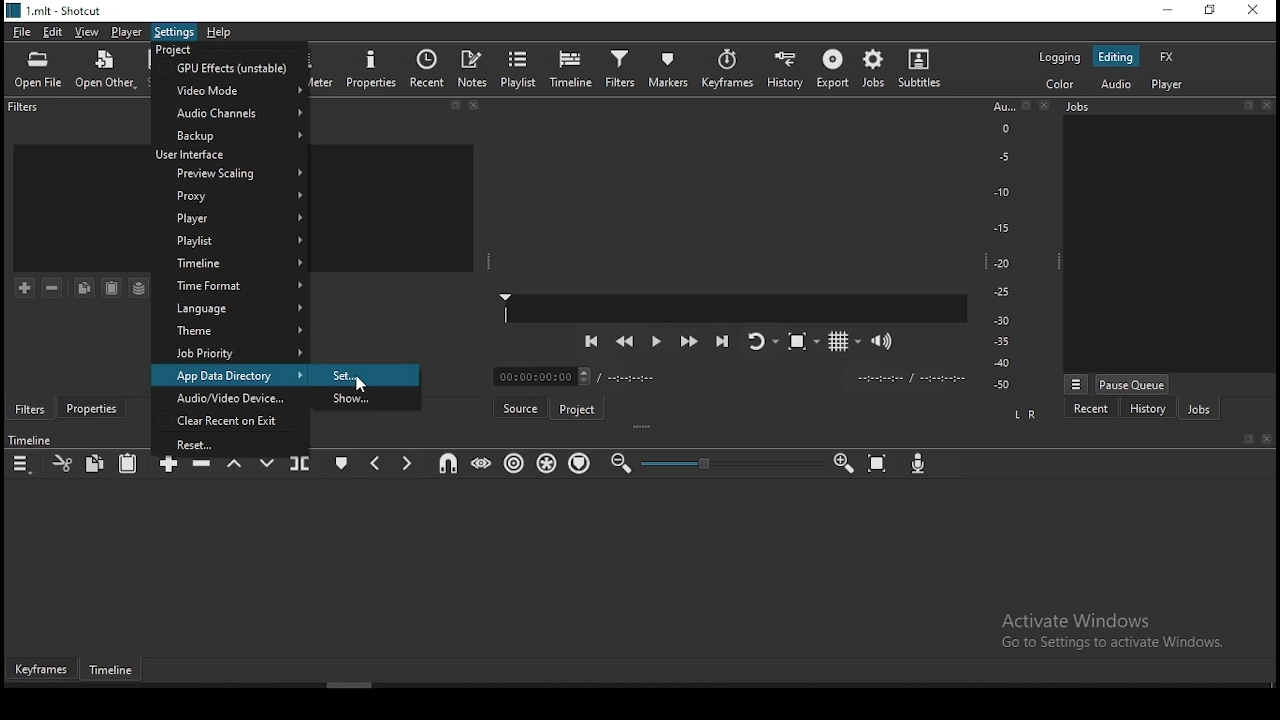 The image size is (1280, 720). I want to click on language, so click(230, 310).